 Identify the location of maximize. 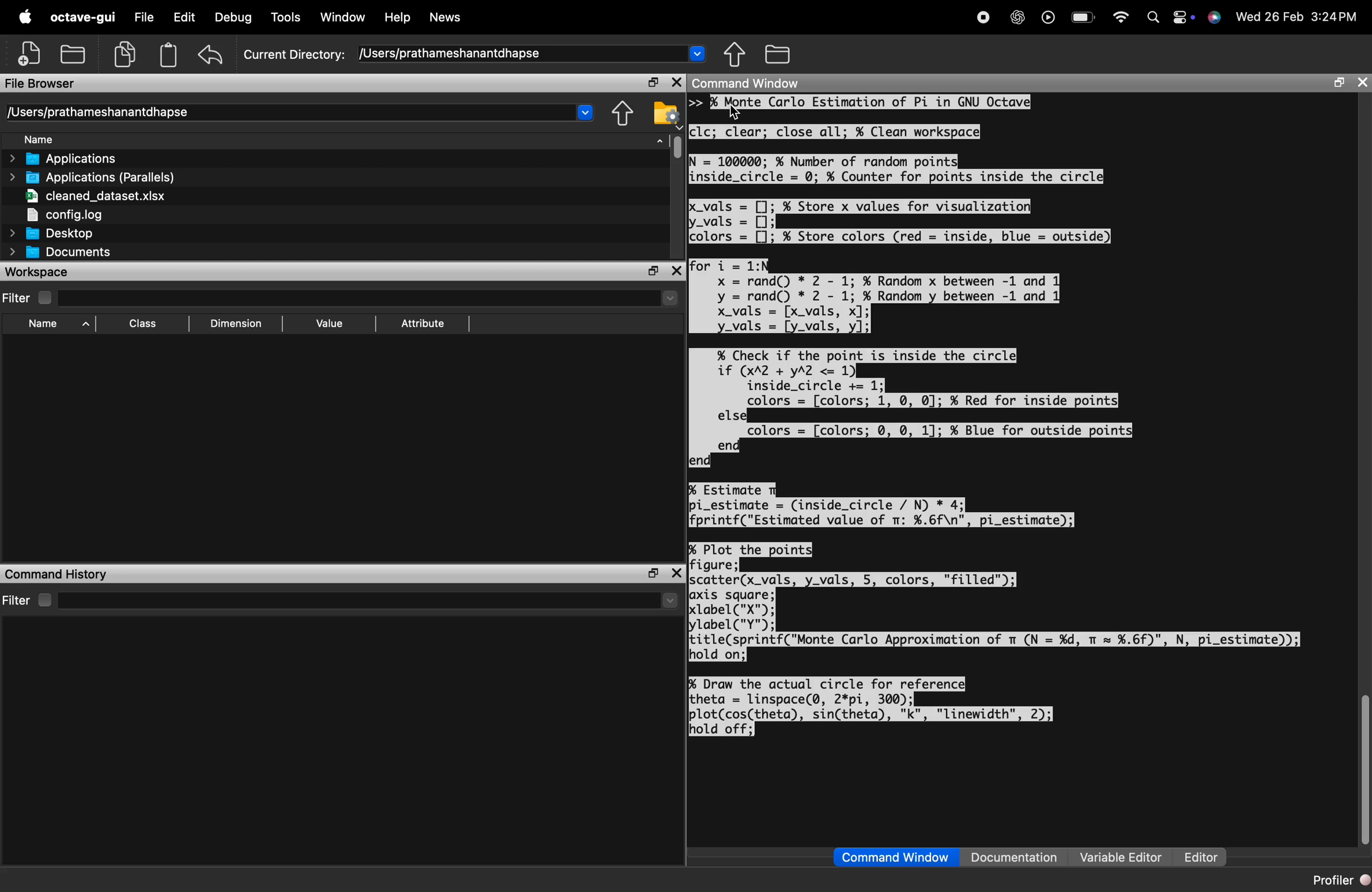
(1336, 84).